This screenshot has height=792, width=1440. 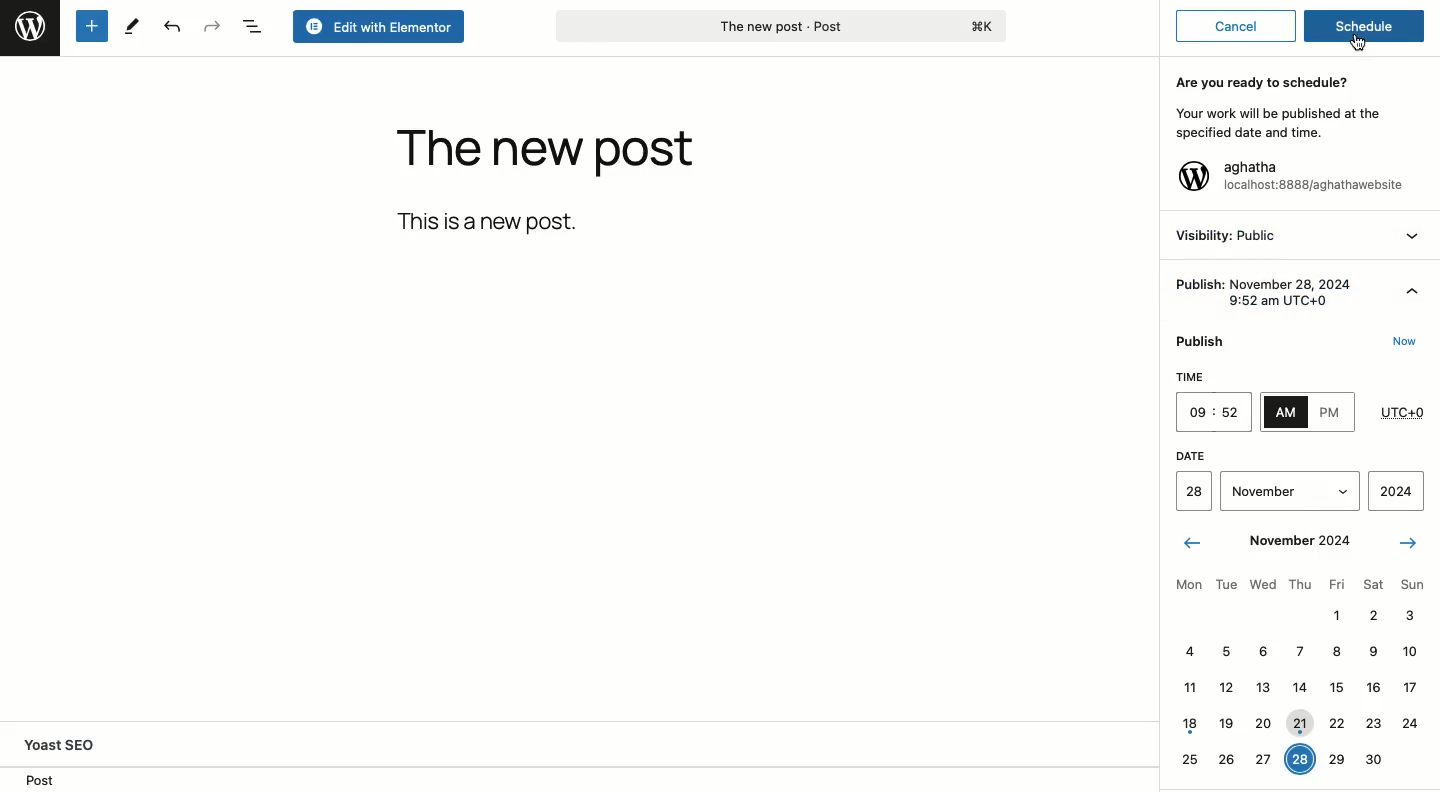 What do you see at coordinates (1206, 337) in the screenshot?
I see `Publish` at bounding box center [1206, 337].